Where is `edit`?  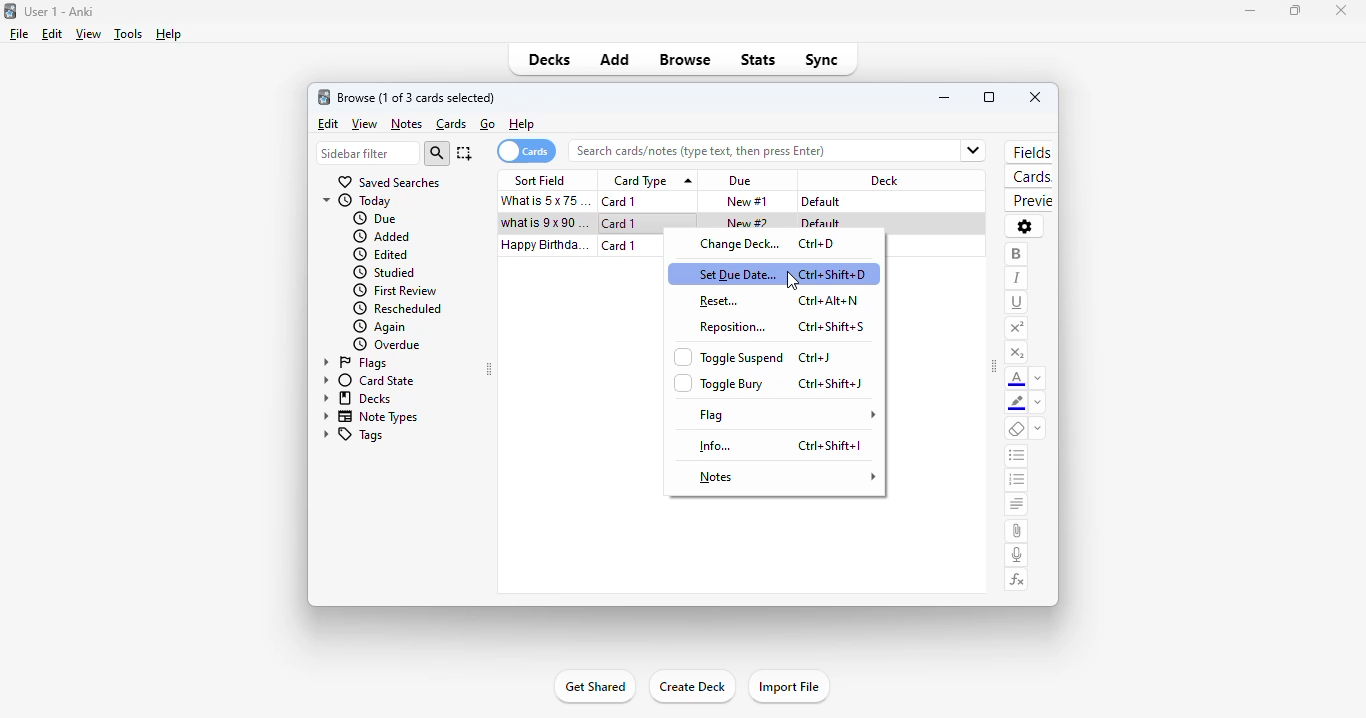
edit is located at coordinates (53, 34).